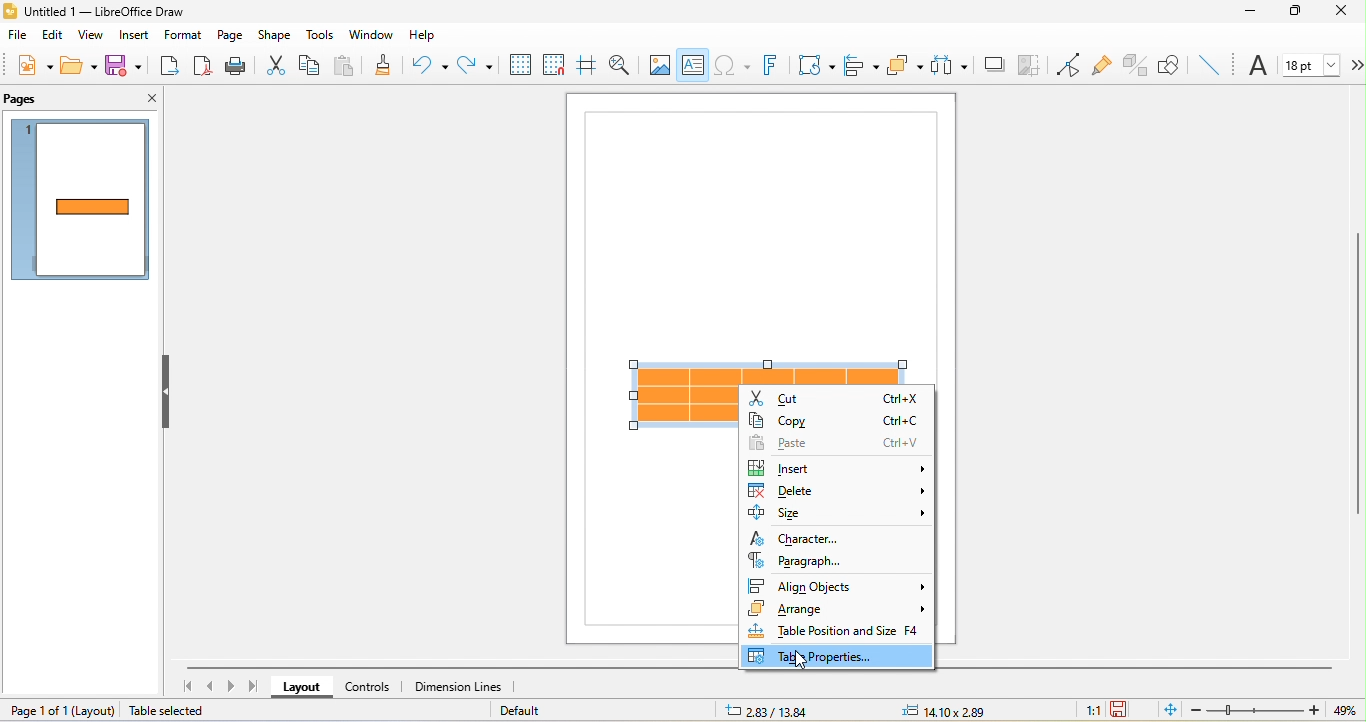 The width and height of the screenshot is (1366, 722). Describe the element at coordinates (456, 665) in the screenshot. I see `horizontal scroll bar` at that location.